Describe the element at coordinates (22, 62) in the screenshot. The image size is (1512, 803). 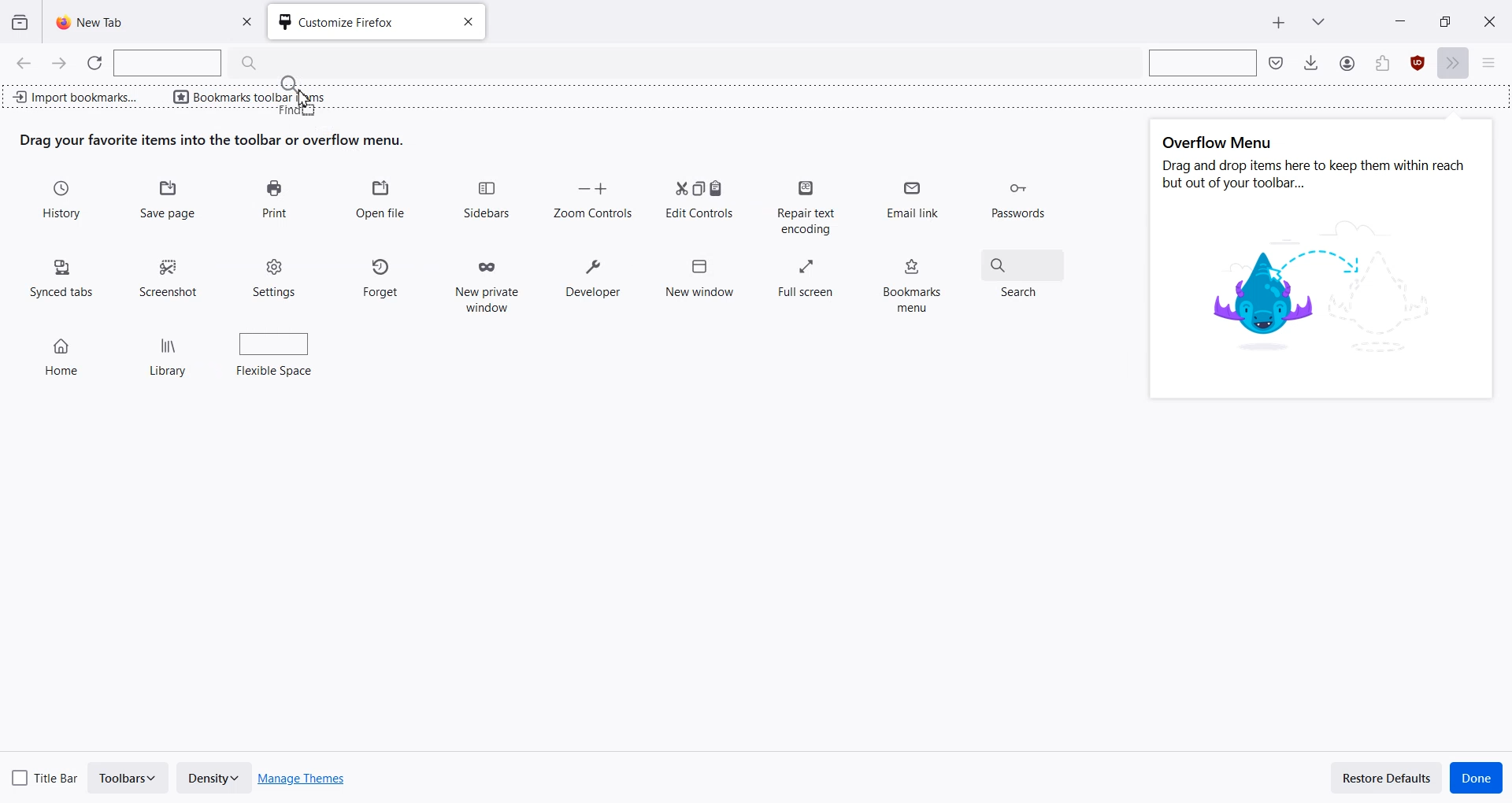
I see `Go Back one page ` at that location.